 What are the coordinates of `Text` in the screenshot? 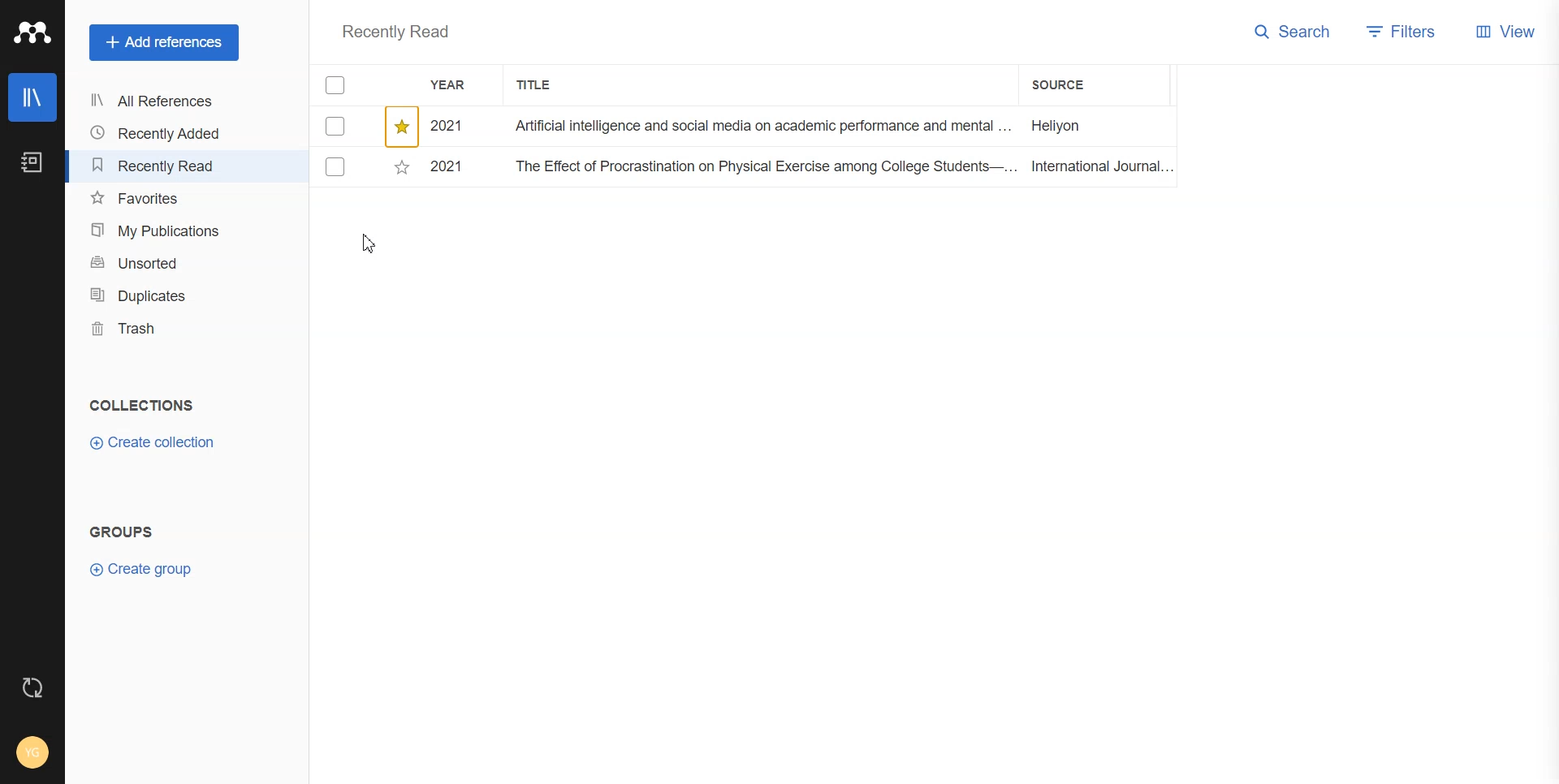 It's located at (141, 406).